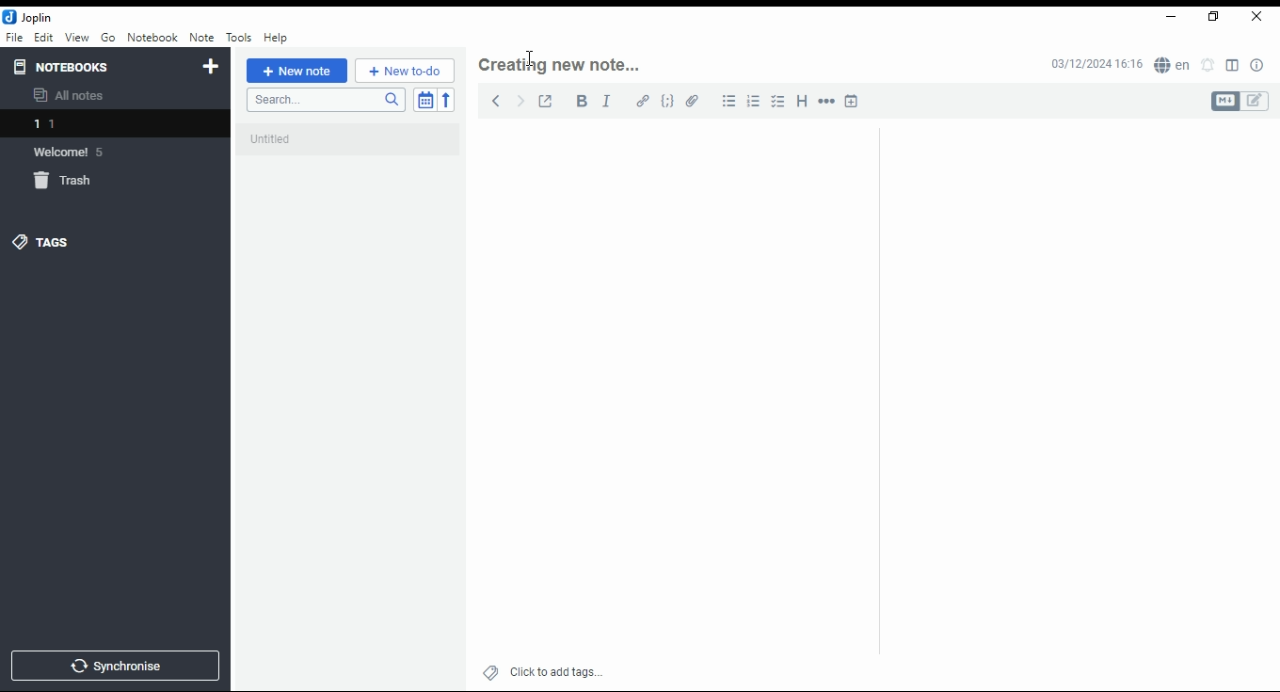 This screenshot has height=692, width=1280. What do you see at coordinates (73, 126) in the screenshot?
I see `notebook 1` at bounding box center [73, 126].